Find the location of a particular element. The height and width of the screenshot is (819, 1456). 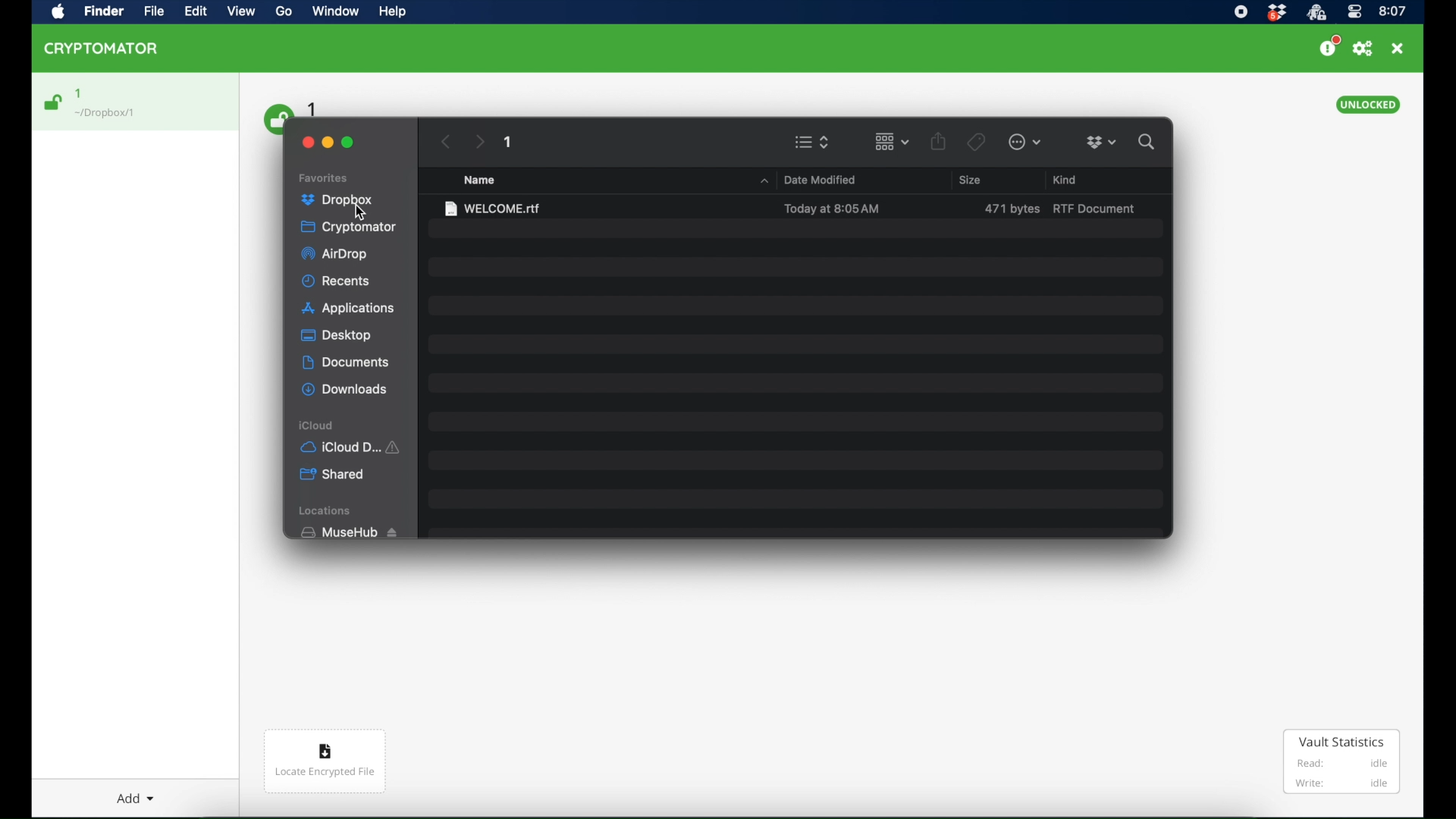

tags is located at coordinates (975, 141).